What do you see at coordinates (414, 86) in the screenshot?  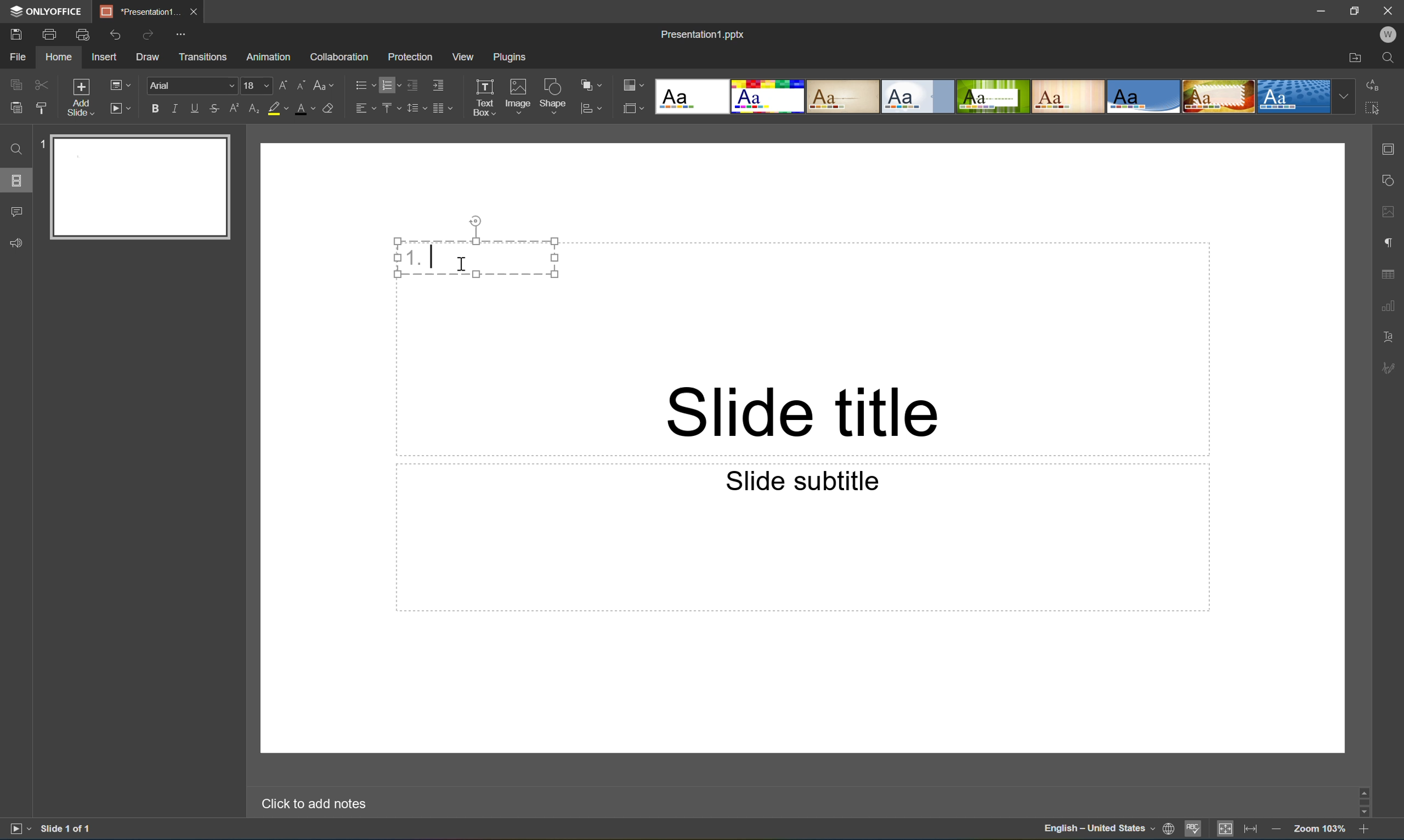 I see `Decrease indent` at bounding box center [414, 86].